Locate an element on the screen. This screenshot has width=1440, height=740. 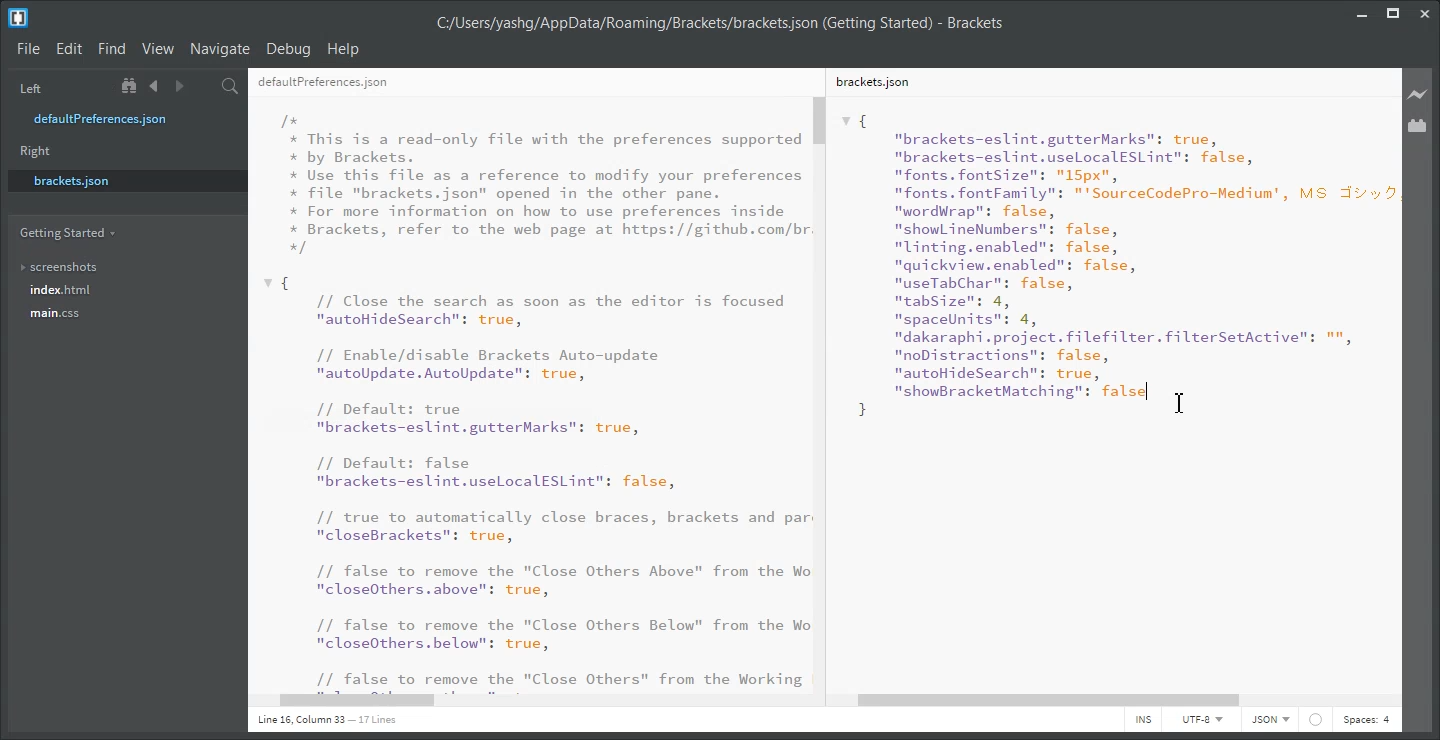
Navigate Backward is located at coordinates (154, 86).